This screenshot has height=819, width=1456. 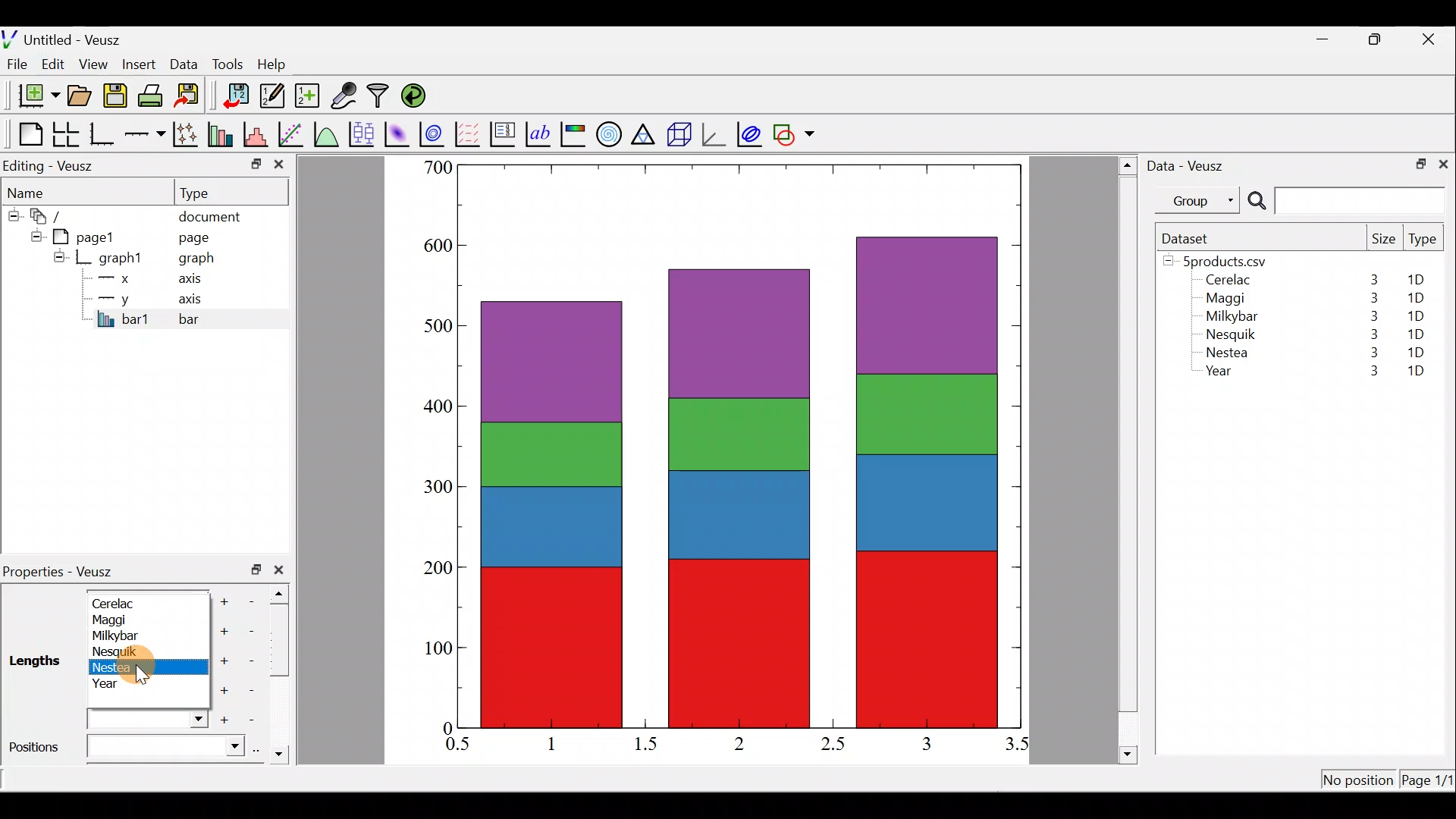 I want to click on New document, so click(x=33, y=96).